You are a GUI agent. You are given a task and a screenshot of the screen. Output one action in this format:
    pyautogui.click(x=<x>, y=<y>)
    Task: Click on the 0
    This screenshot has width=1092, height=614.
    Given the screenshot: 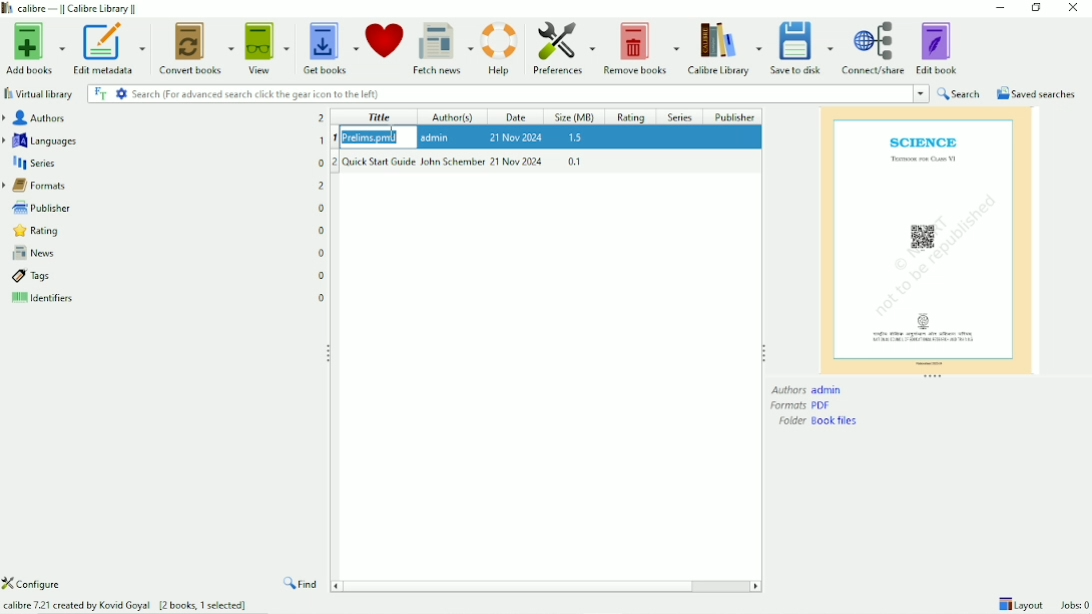 What is the action you would take?
    pyautogui.click(x=322, y=296)
    